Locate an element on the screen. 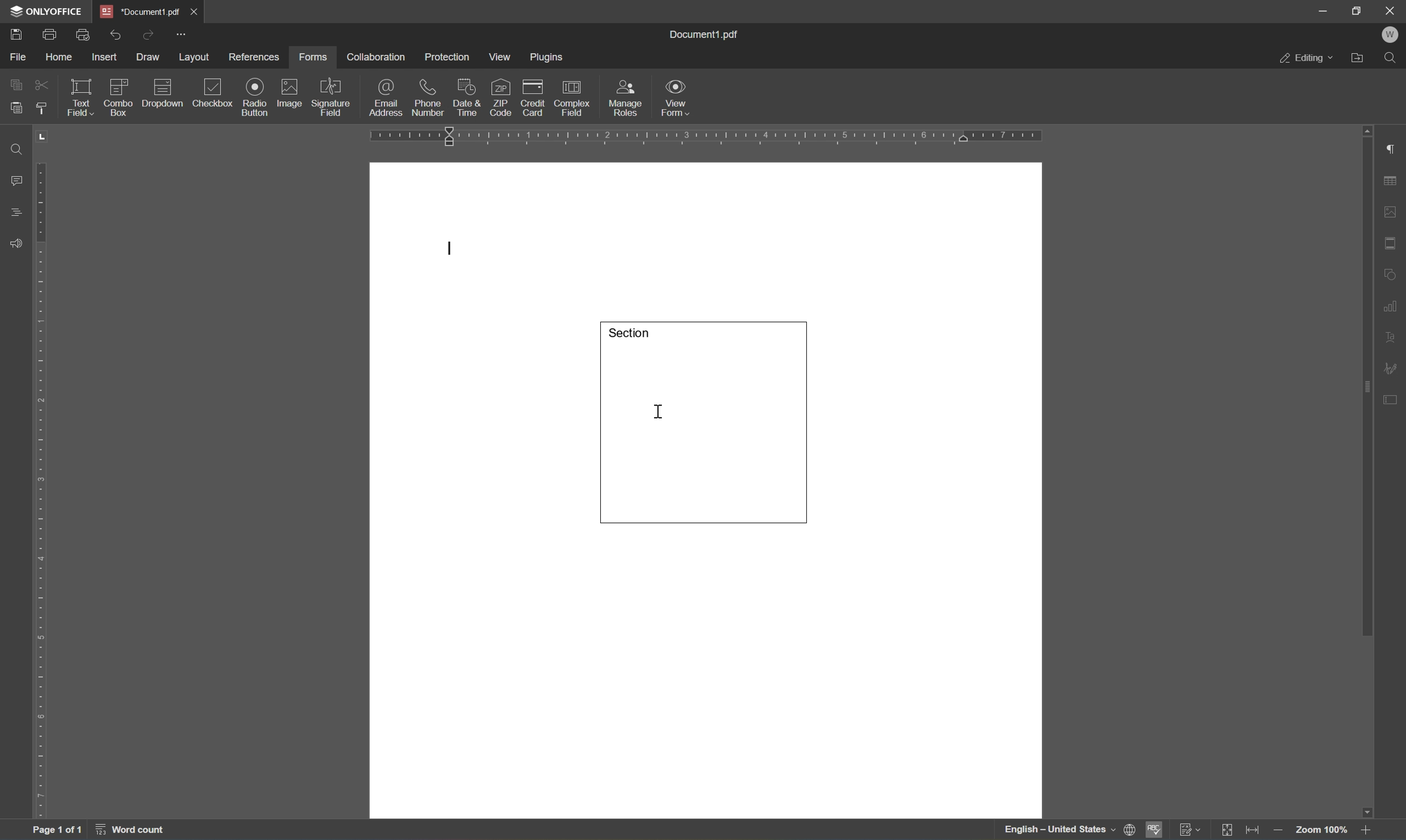 The width and height of the screenshot is (1406, 840). draw is located at coordinates (149, 57).